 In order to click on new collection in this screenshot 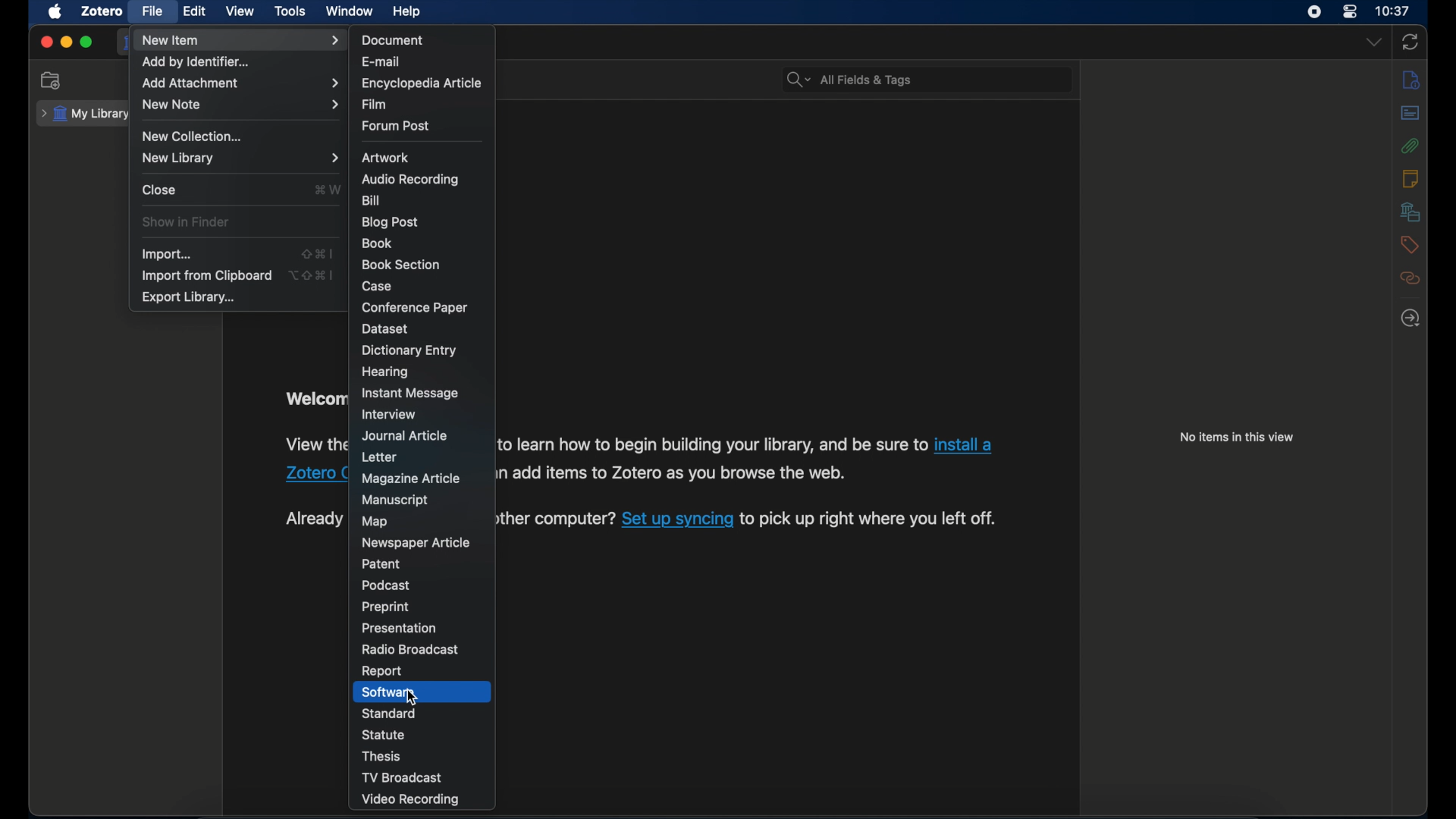, I will do `click(194, 136)`.